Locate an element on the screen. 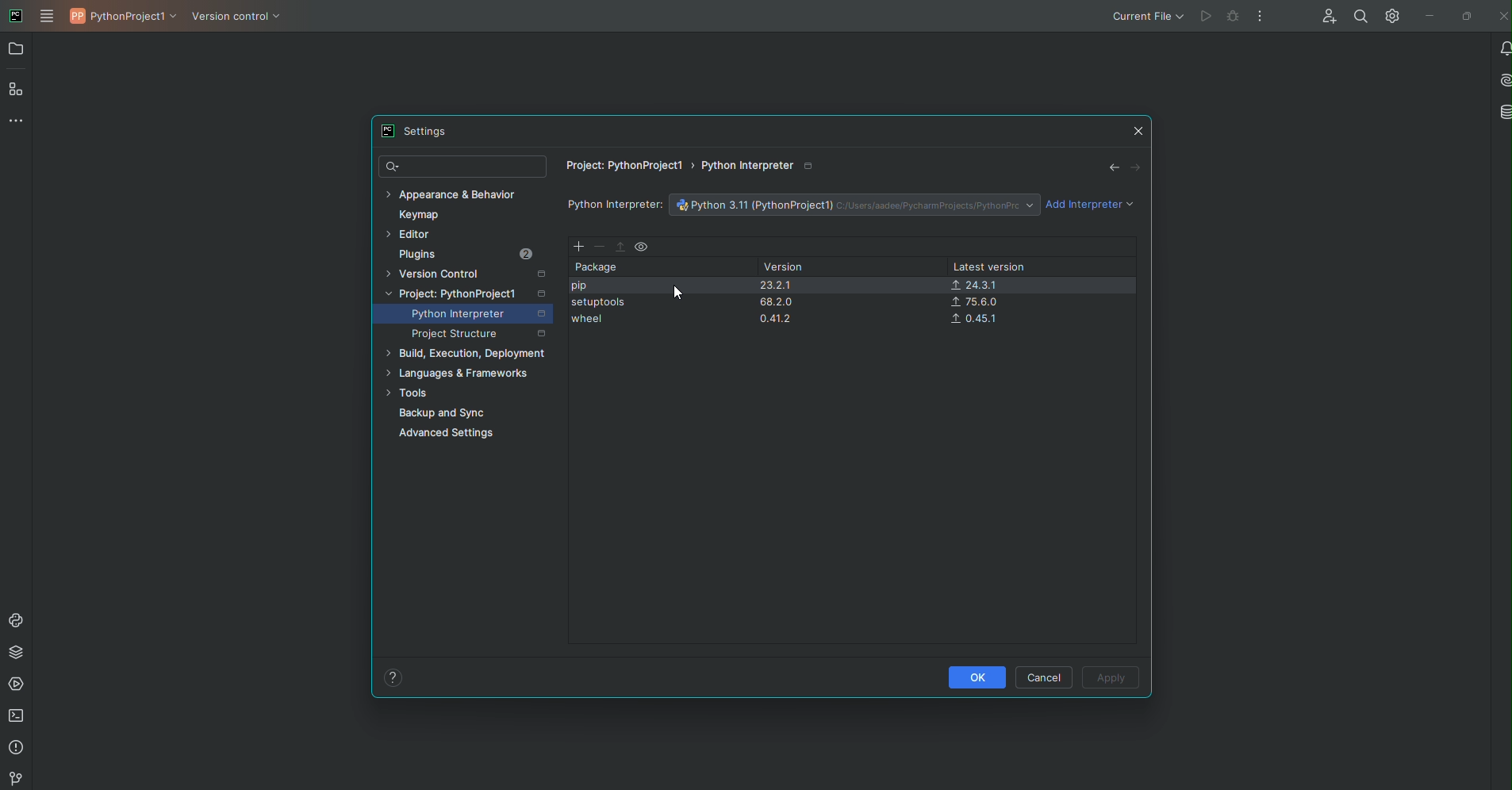 This screenshot has height=790, width=1512. Package is located at coordinates (597, 267).